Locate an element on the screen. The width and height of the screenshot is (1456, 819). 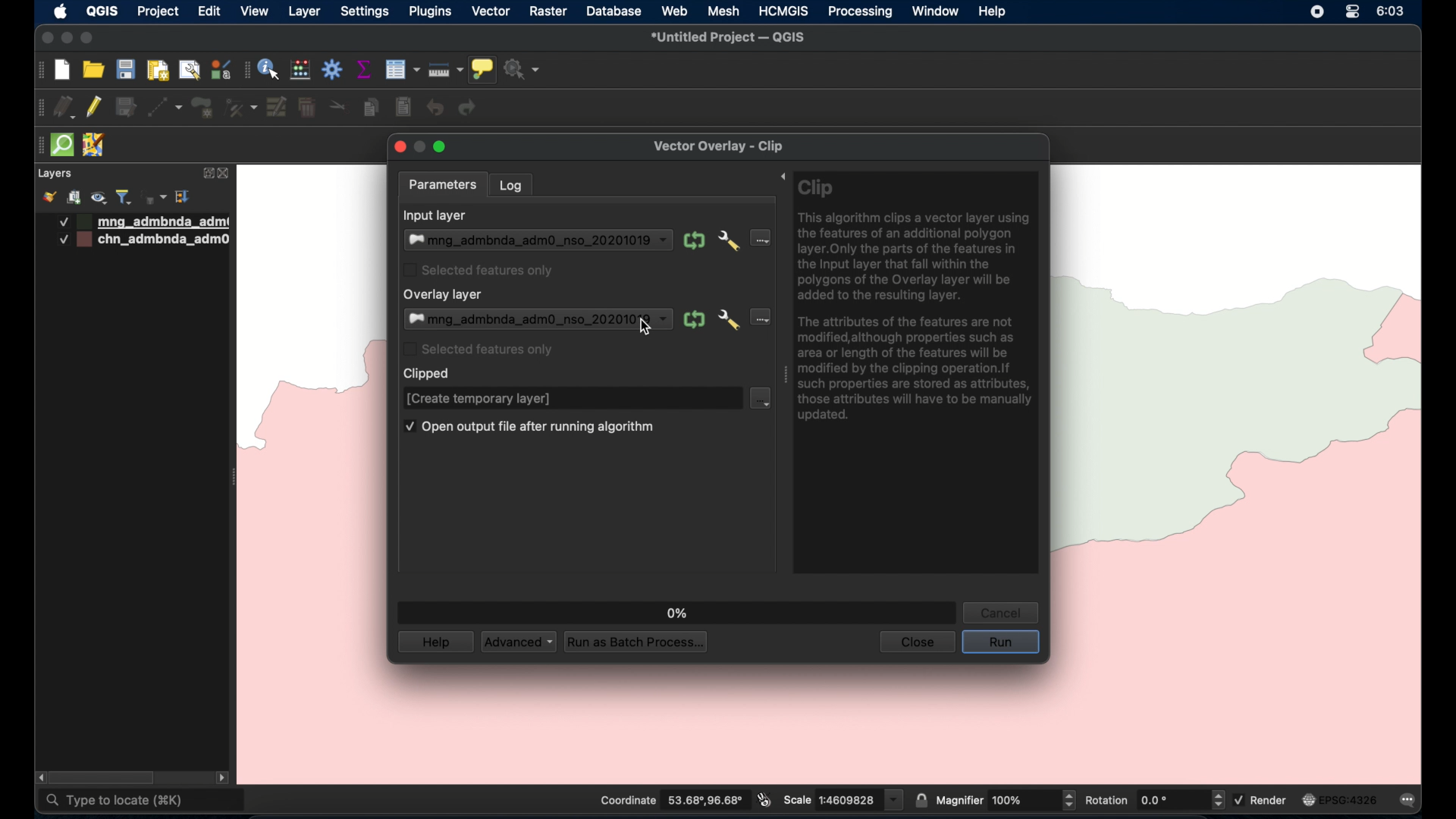
type to locate is located at coordinates (143, 802).